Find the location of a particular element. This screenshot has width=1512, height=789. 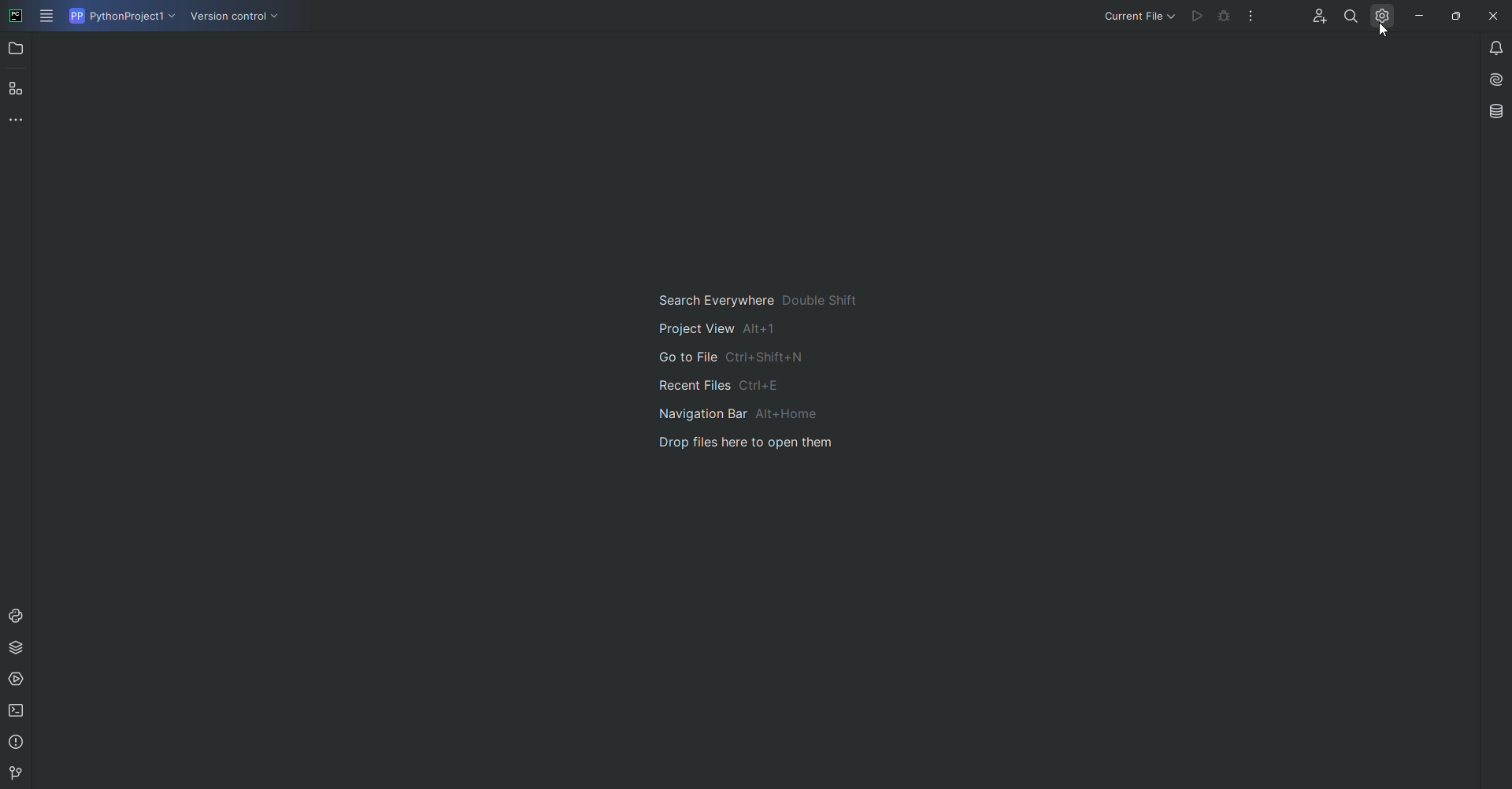

Code with me is located at coordinates (1316, 17).